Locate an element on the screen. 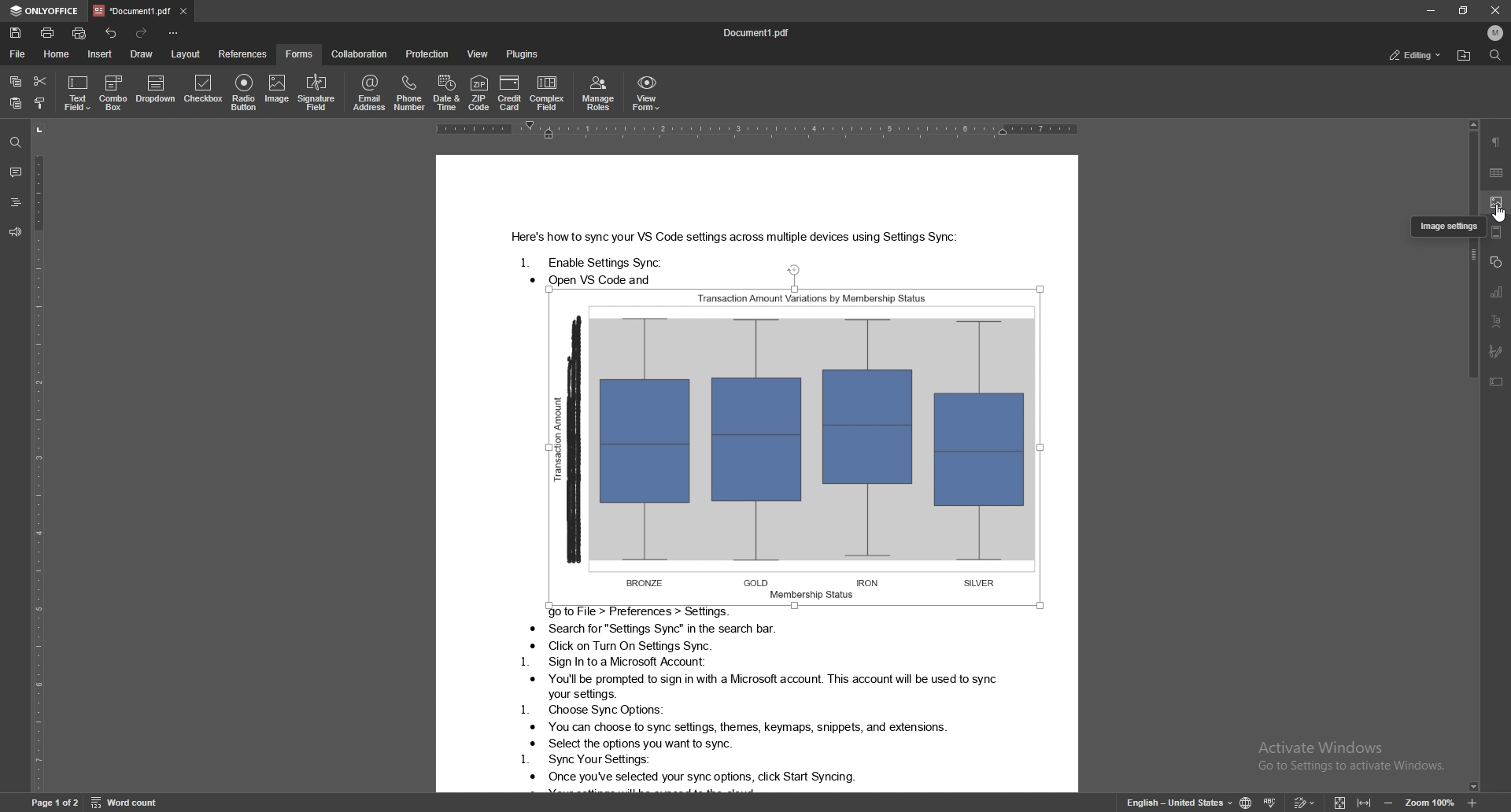 Image resolution: width=1511 pixels, height=812 pixels. paragraph is located at coordinates (1498, 142).